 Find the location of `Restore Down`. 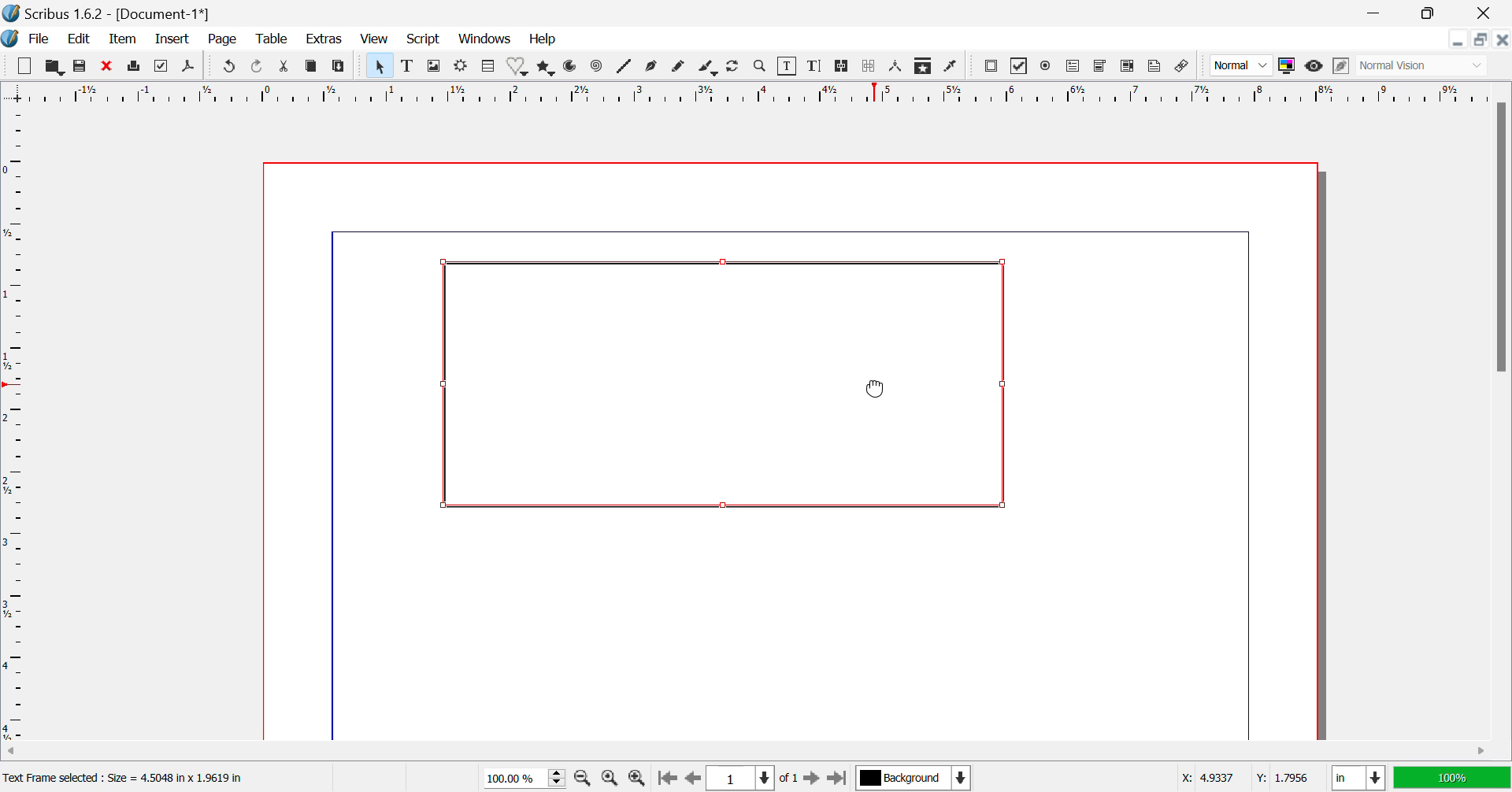

Restore Down is located at coordinates (1378, 12).